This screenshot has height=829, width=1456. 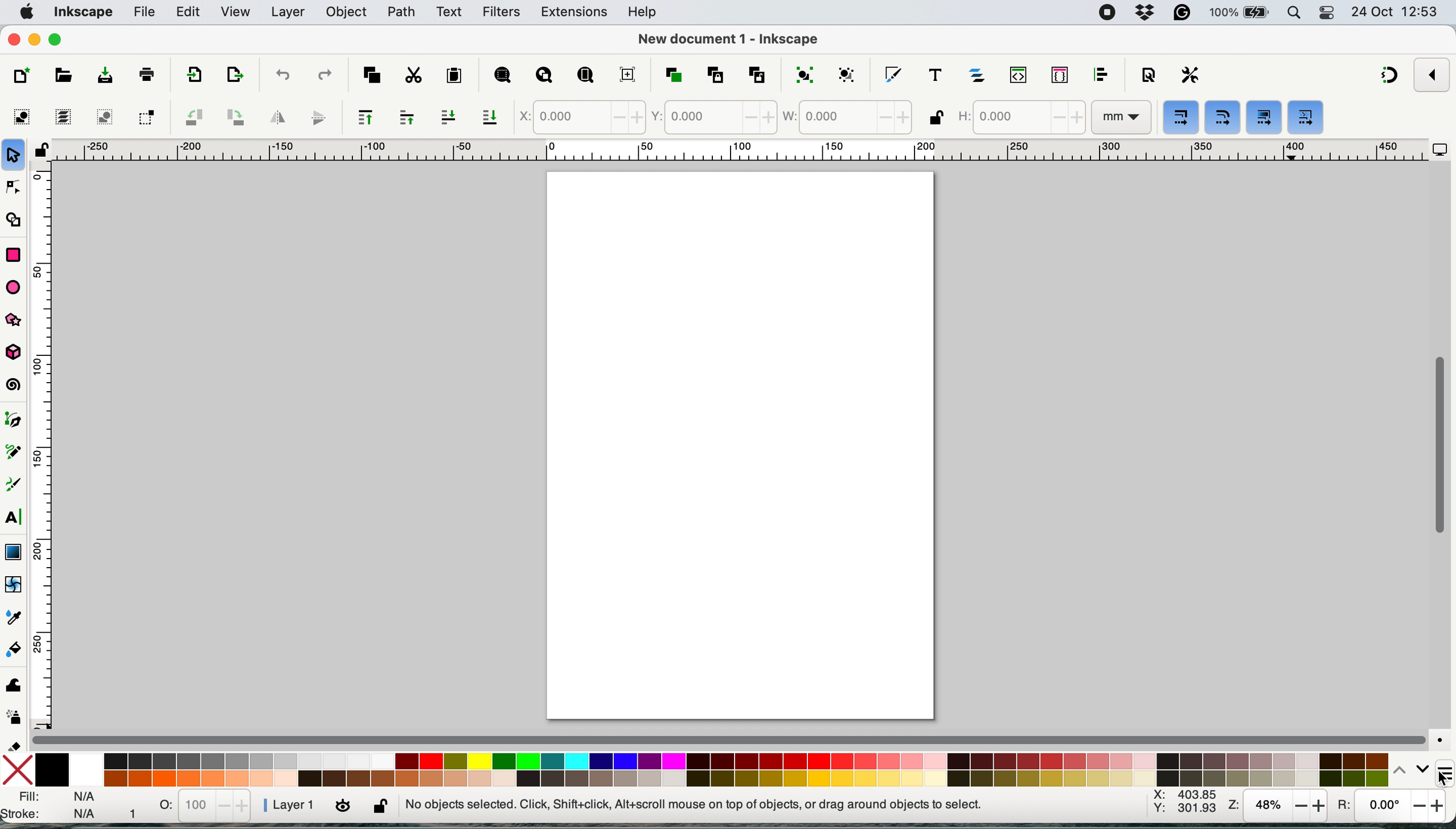 What do you see at coordinates (628, 72) in the screenshot?
I see `zoom center page` at bounding box center [628, 72].